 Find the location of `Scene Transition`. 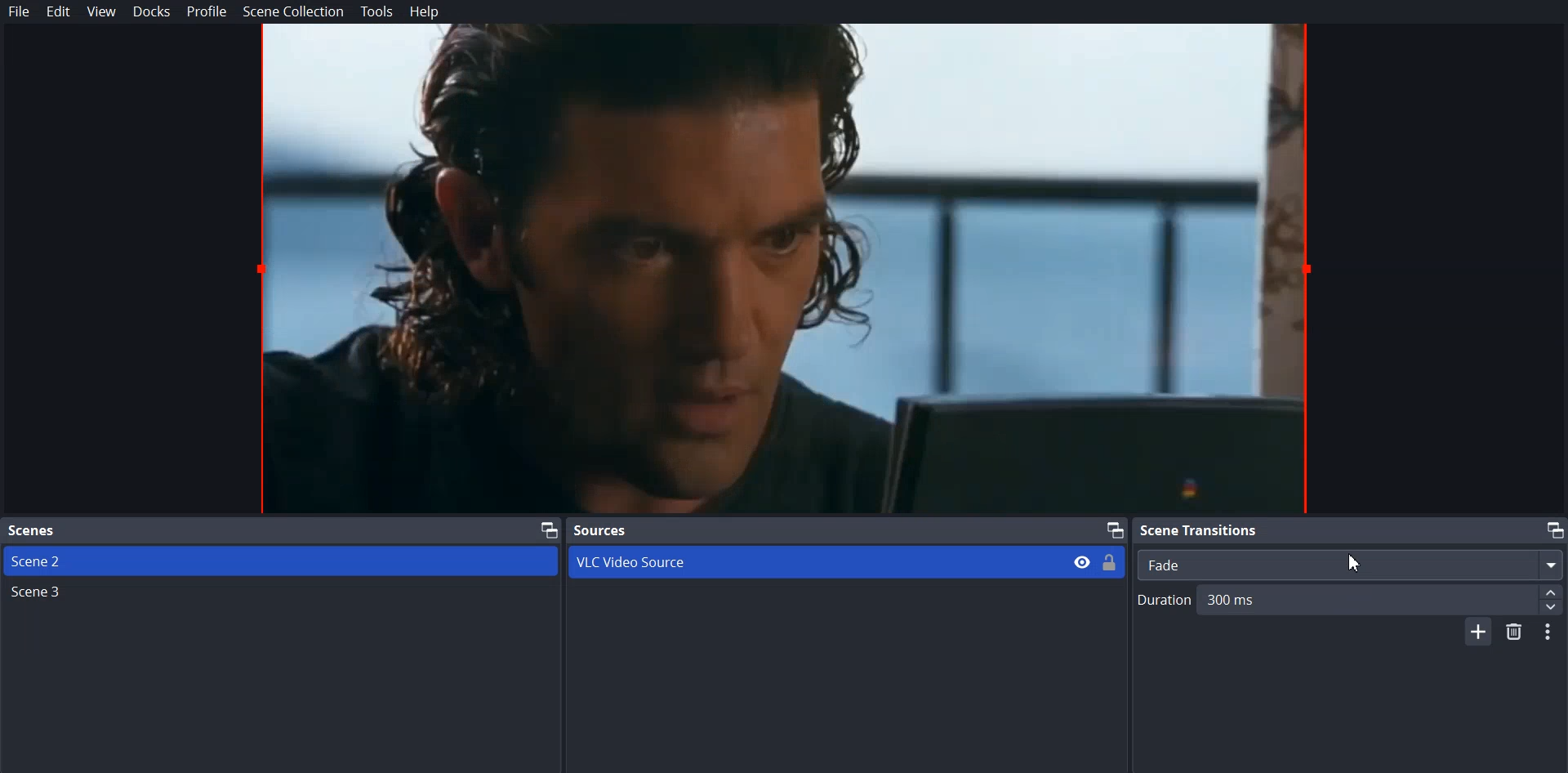

Scene Transition is located at coordinates (1348, 529).